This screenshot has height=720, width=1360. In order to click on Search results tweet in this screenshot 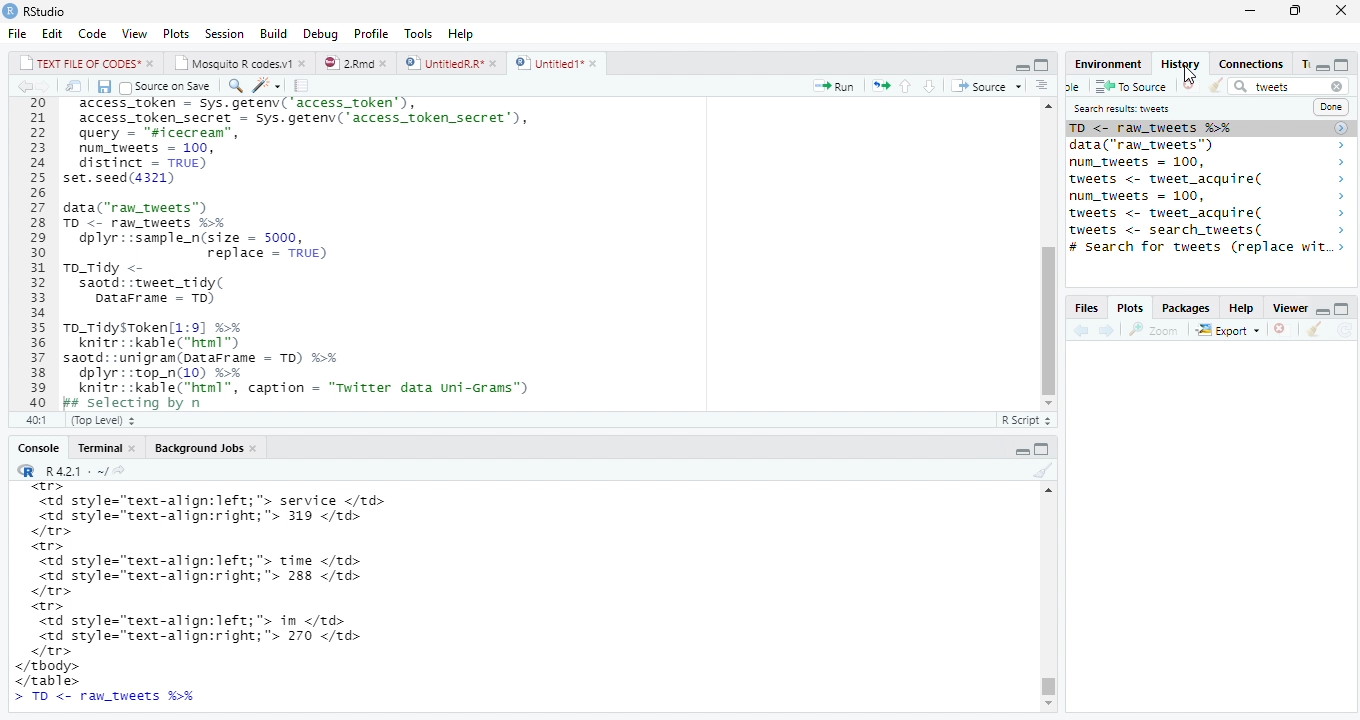, I will do `click(1177, 109)`.